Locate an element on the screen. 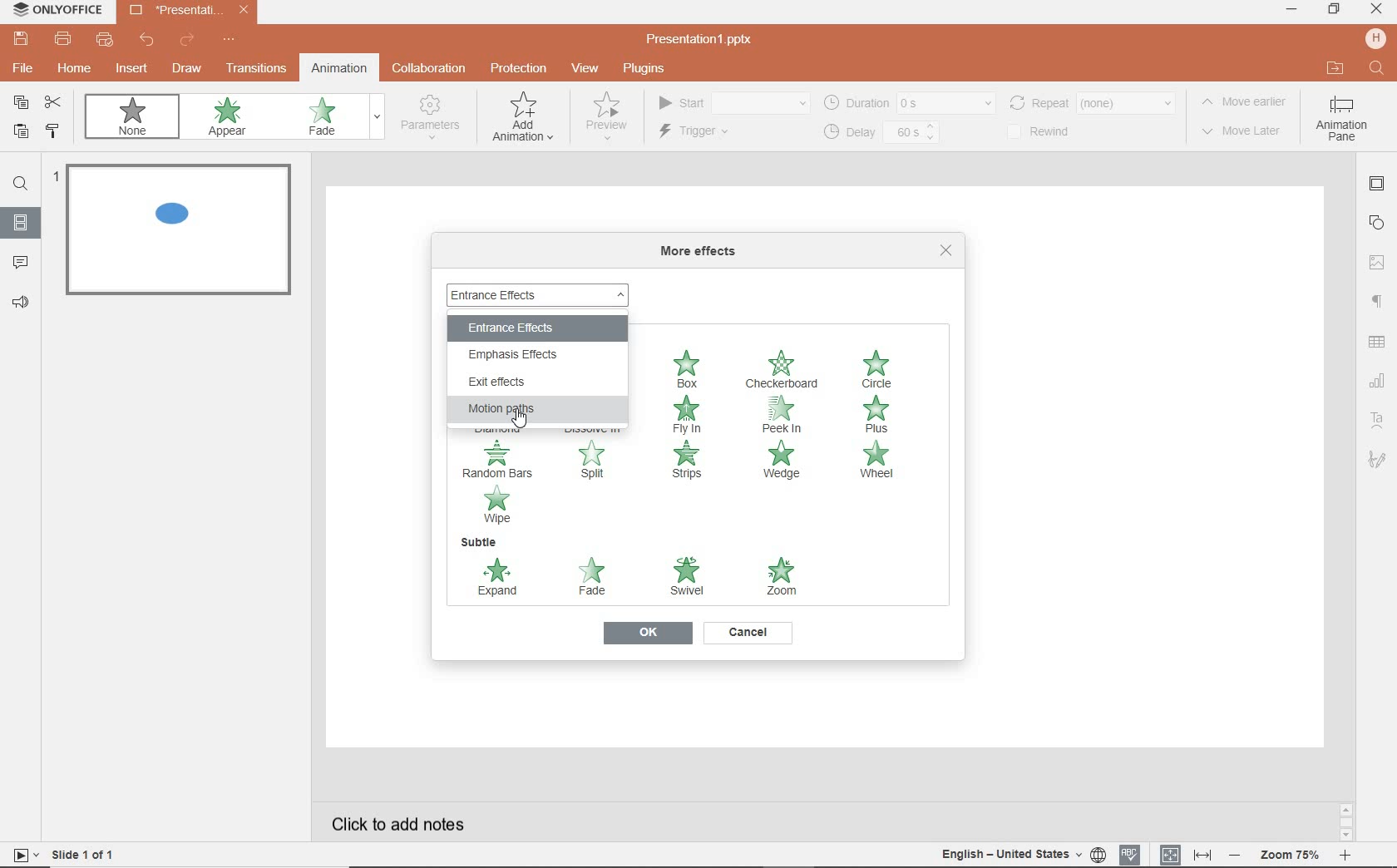 The height and width of the screenshot is (868, 1397). RANDOM BARS is located at coordinates (499, 460).